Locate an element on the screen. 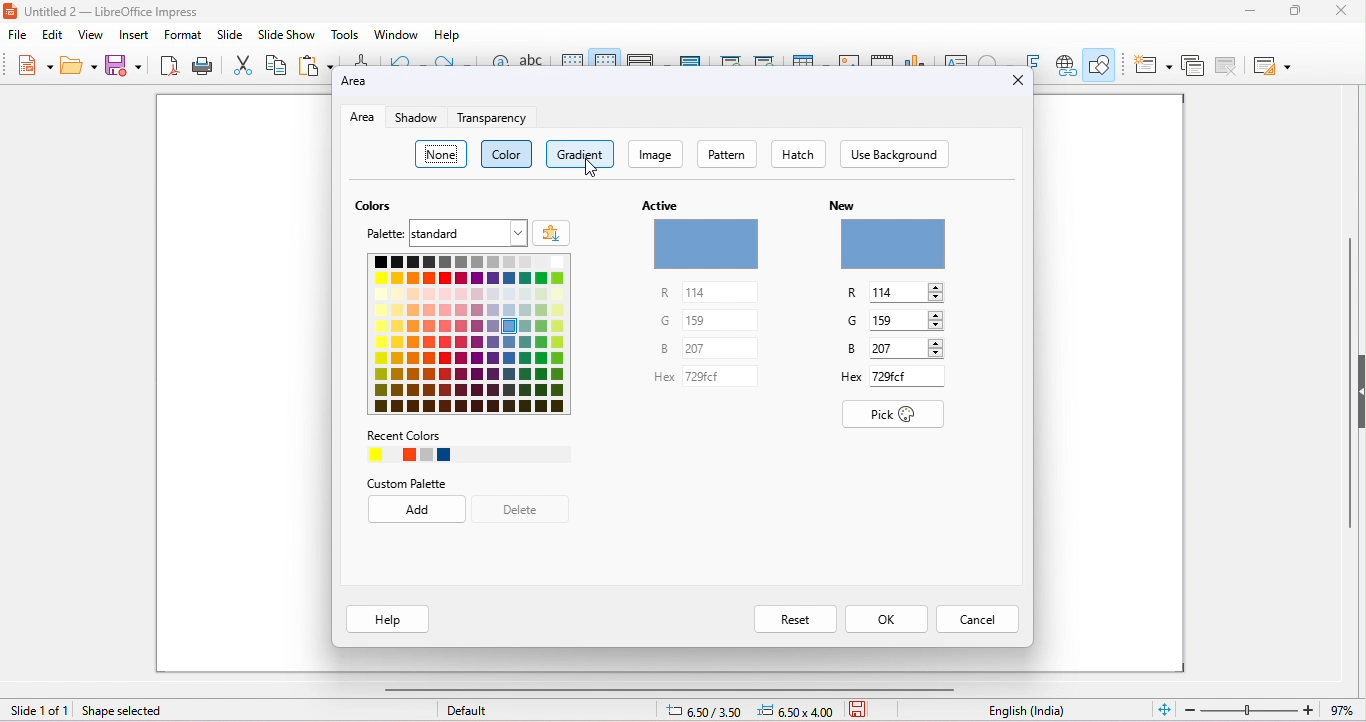 This screenshot has height=722, width=1366. master slide is located at coordinates (691, 58).